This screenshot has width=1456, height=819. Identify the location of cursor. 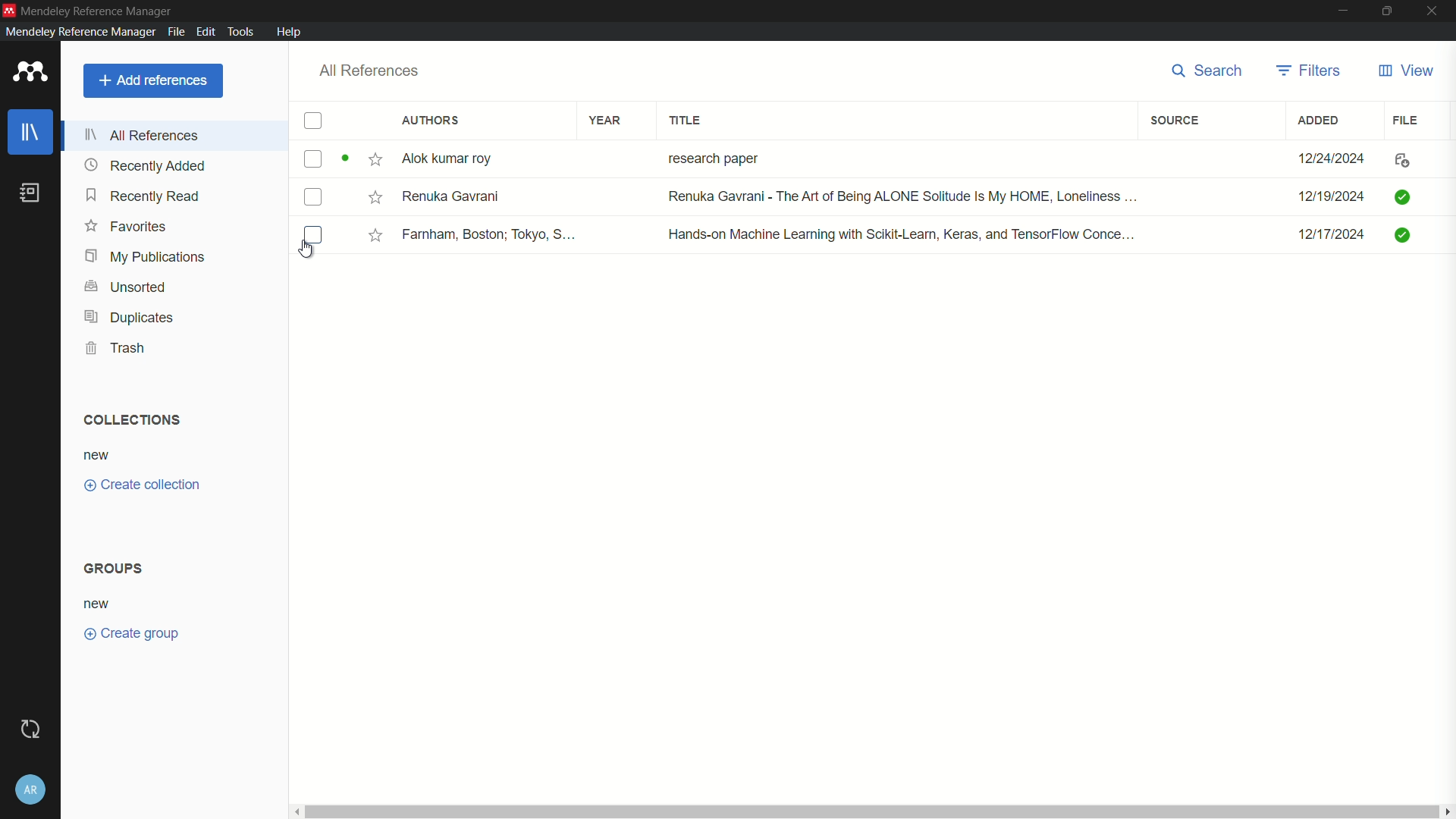
(308, 252).